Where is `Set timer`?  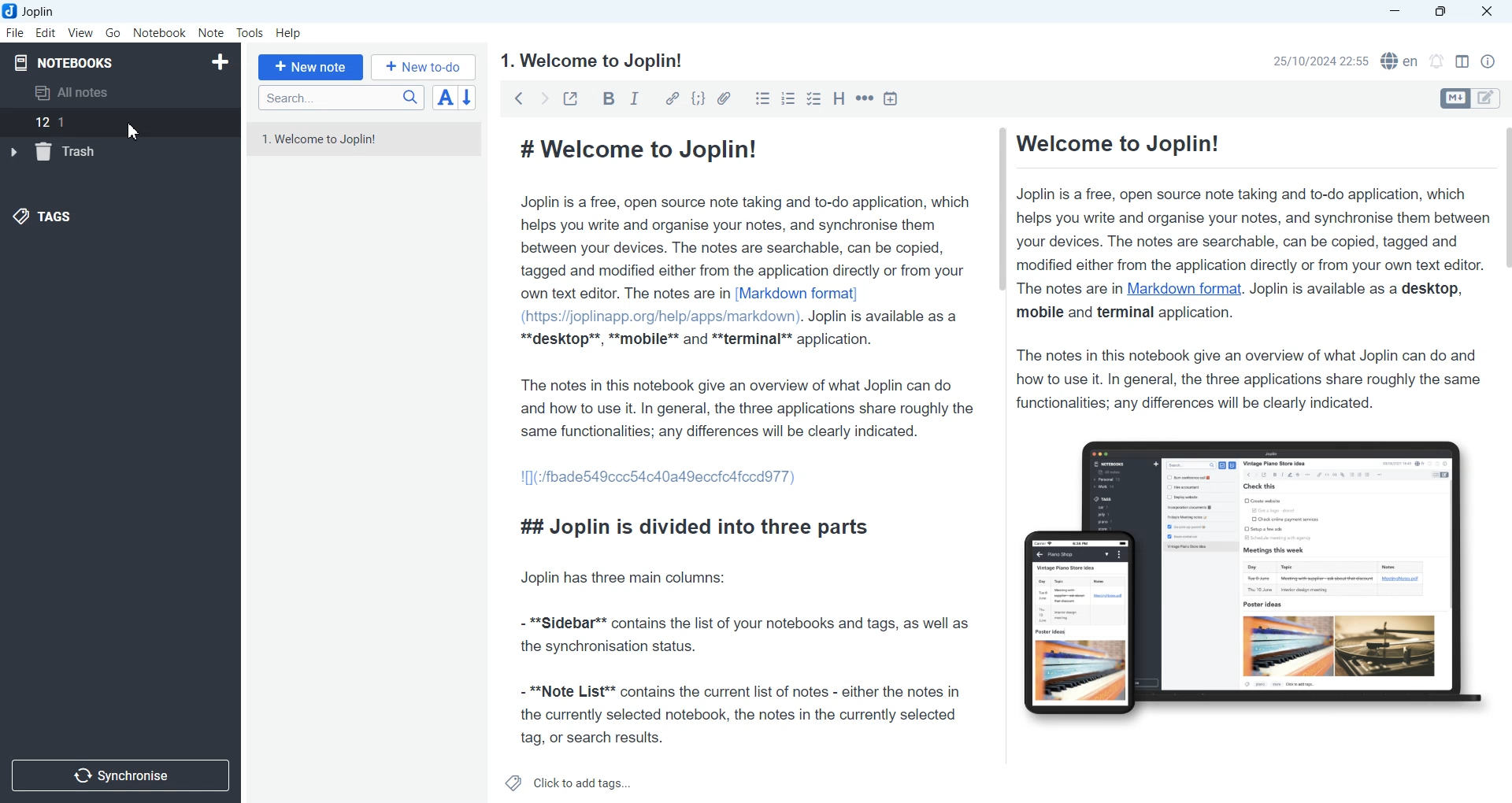
Set timer is located at coordinates (1437, 61).